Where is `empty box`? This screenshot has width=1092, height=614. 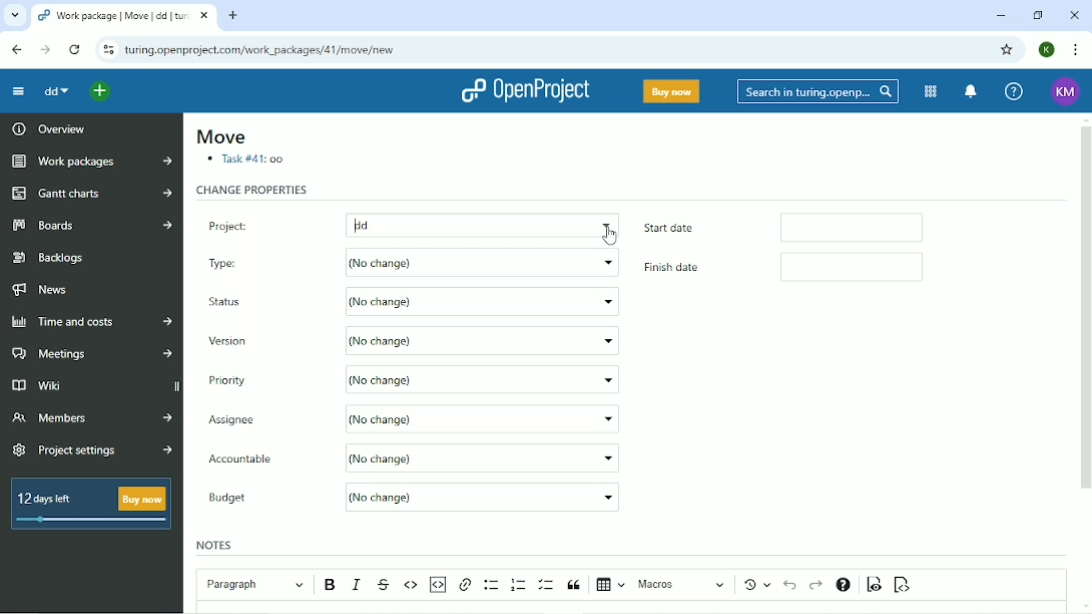
empty box is located at coordinates (870, 266).